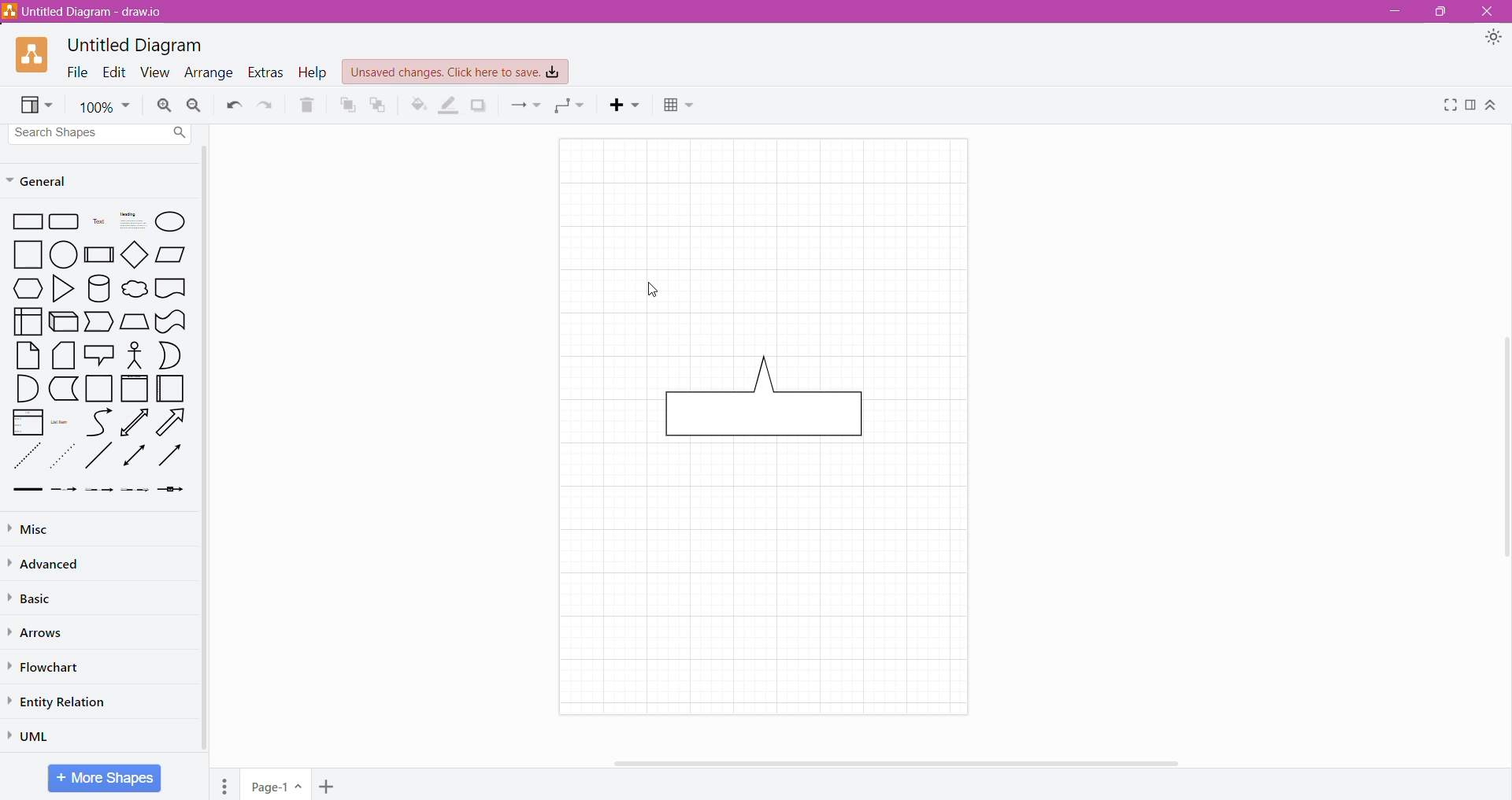 This screenshot has height=800, width=1512. I want to click on View, so click(38, 106).